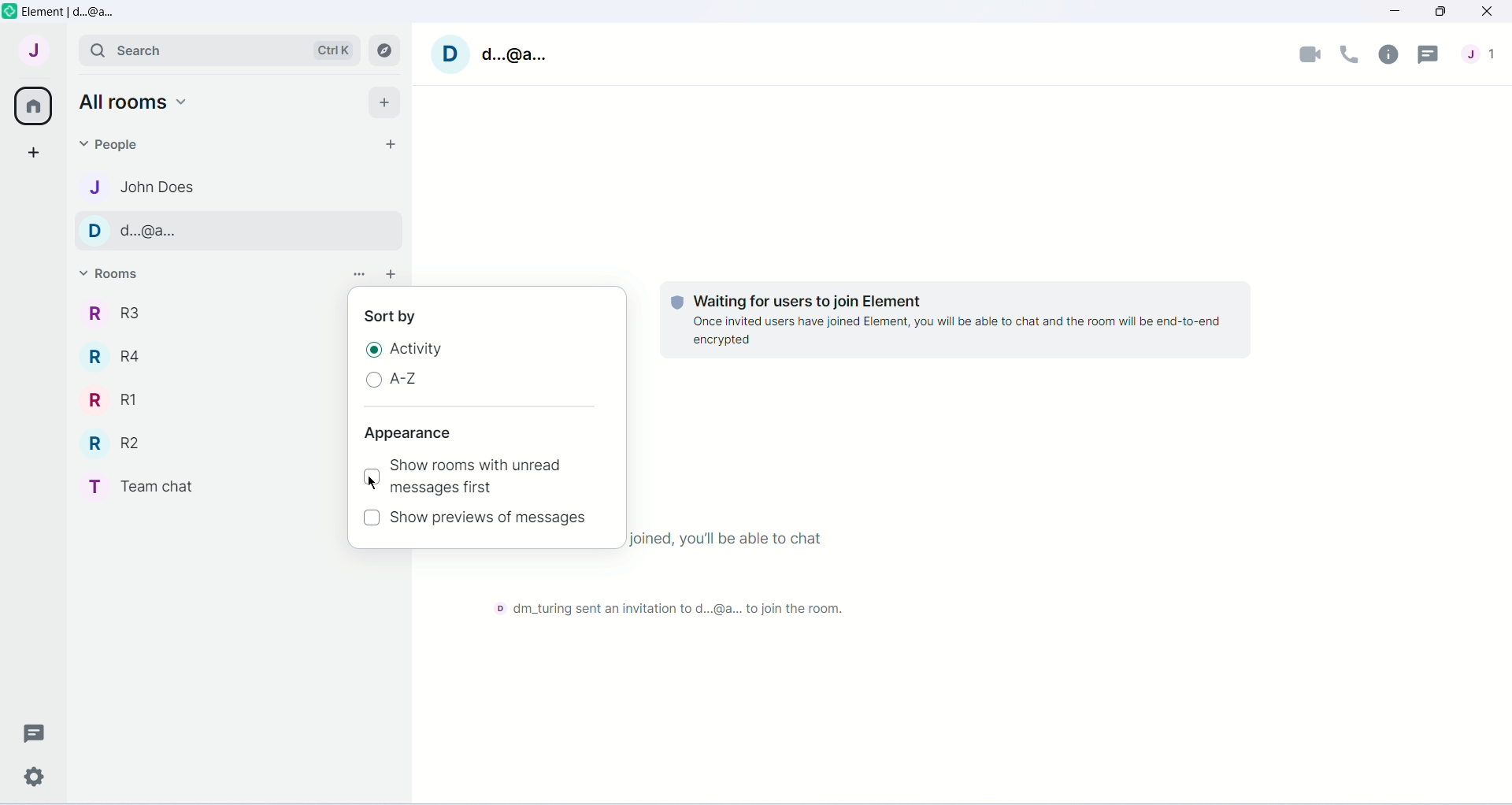  I want to click on Add, so click(384, 102).